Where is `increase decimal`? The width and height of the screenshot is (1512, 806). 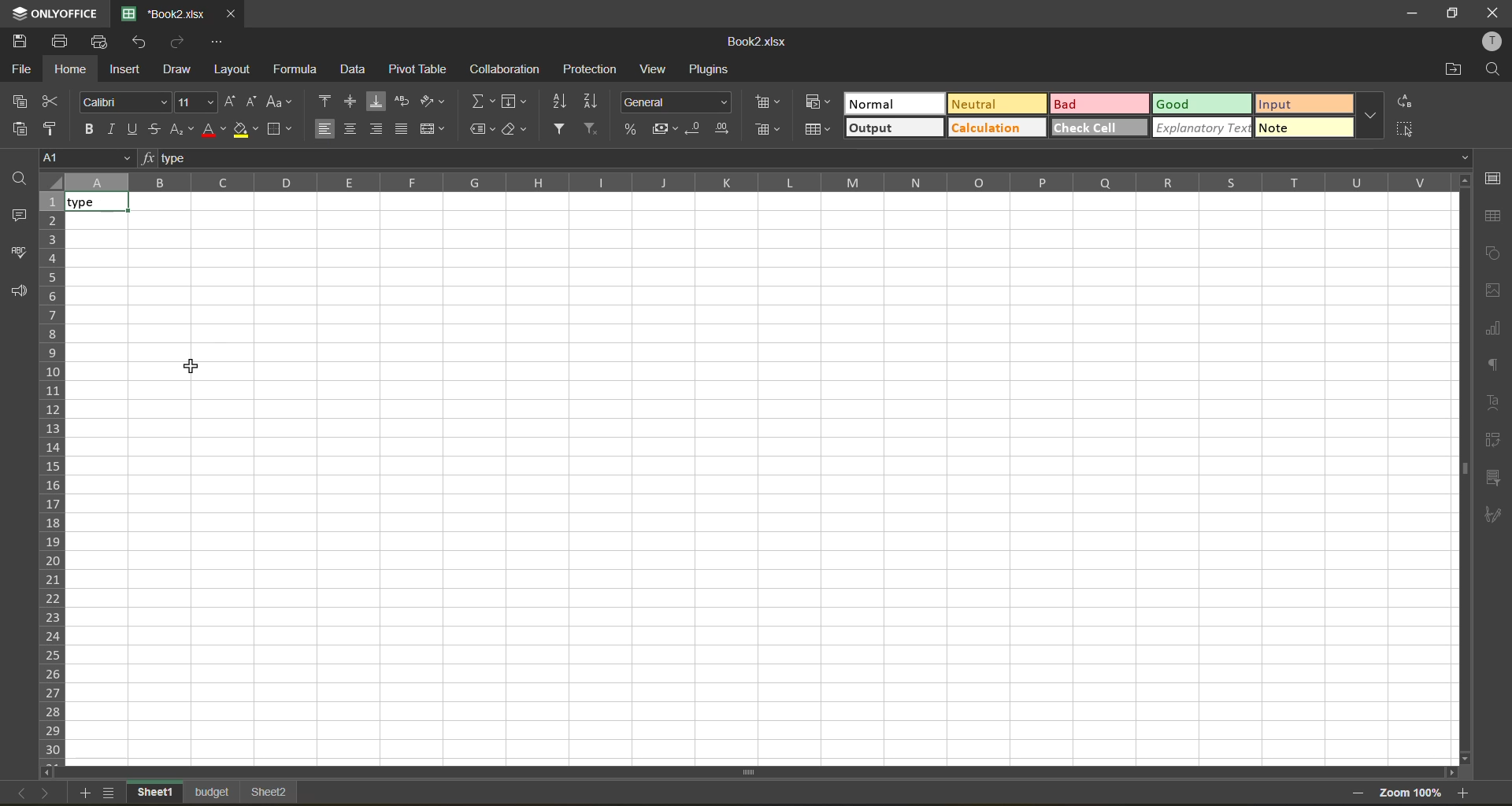 increase decimal is located at coordinates (724, 131).